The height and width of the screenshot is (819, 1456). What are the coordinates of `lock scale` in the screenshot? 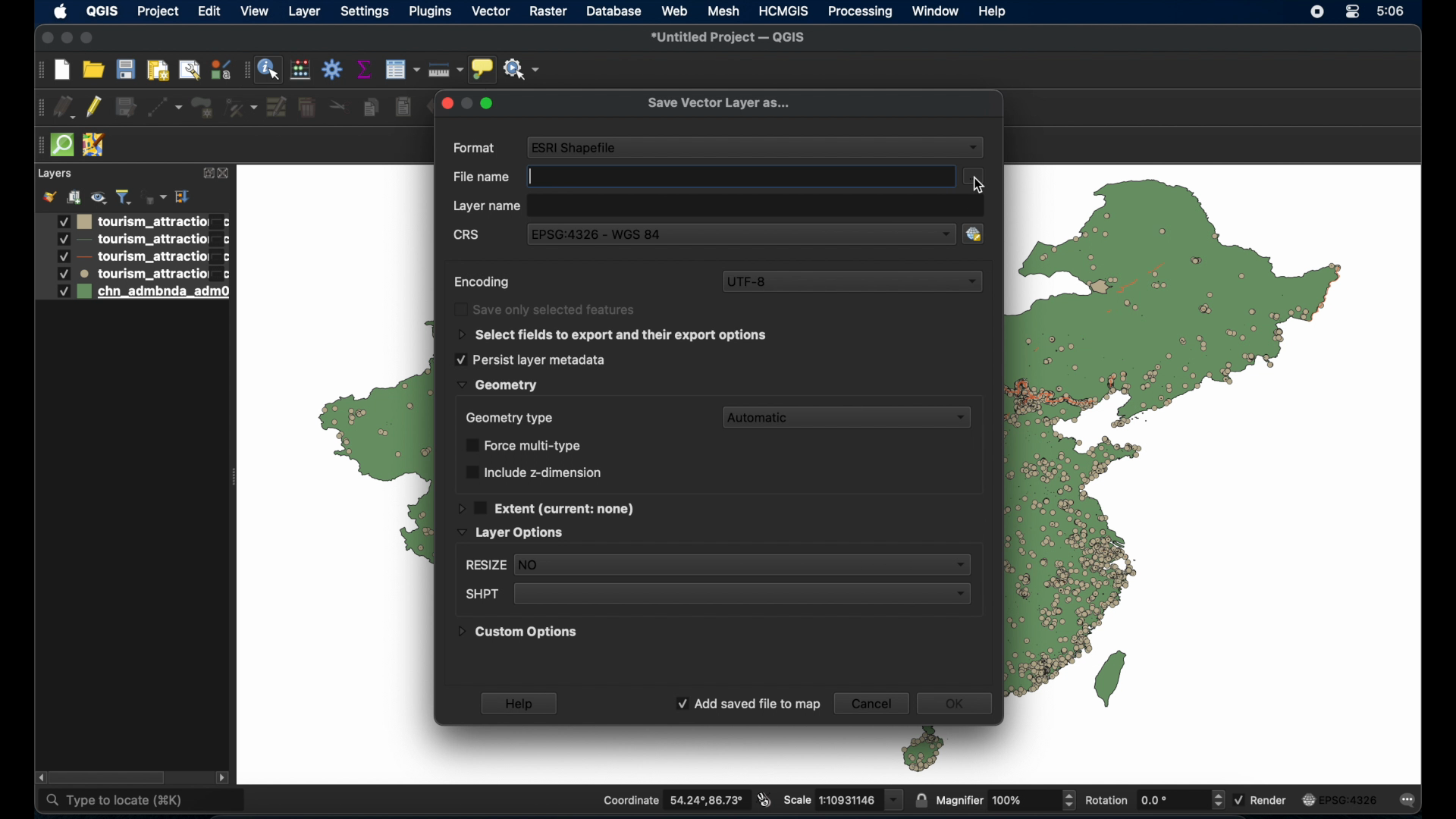 It's located at (921, 798).